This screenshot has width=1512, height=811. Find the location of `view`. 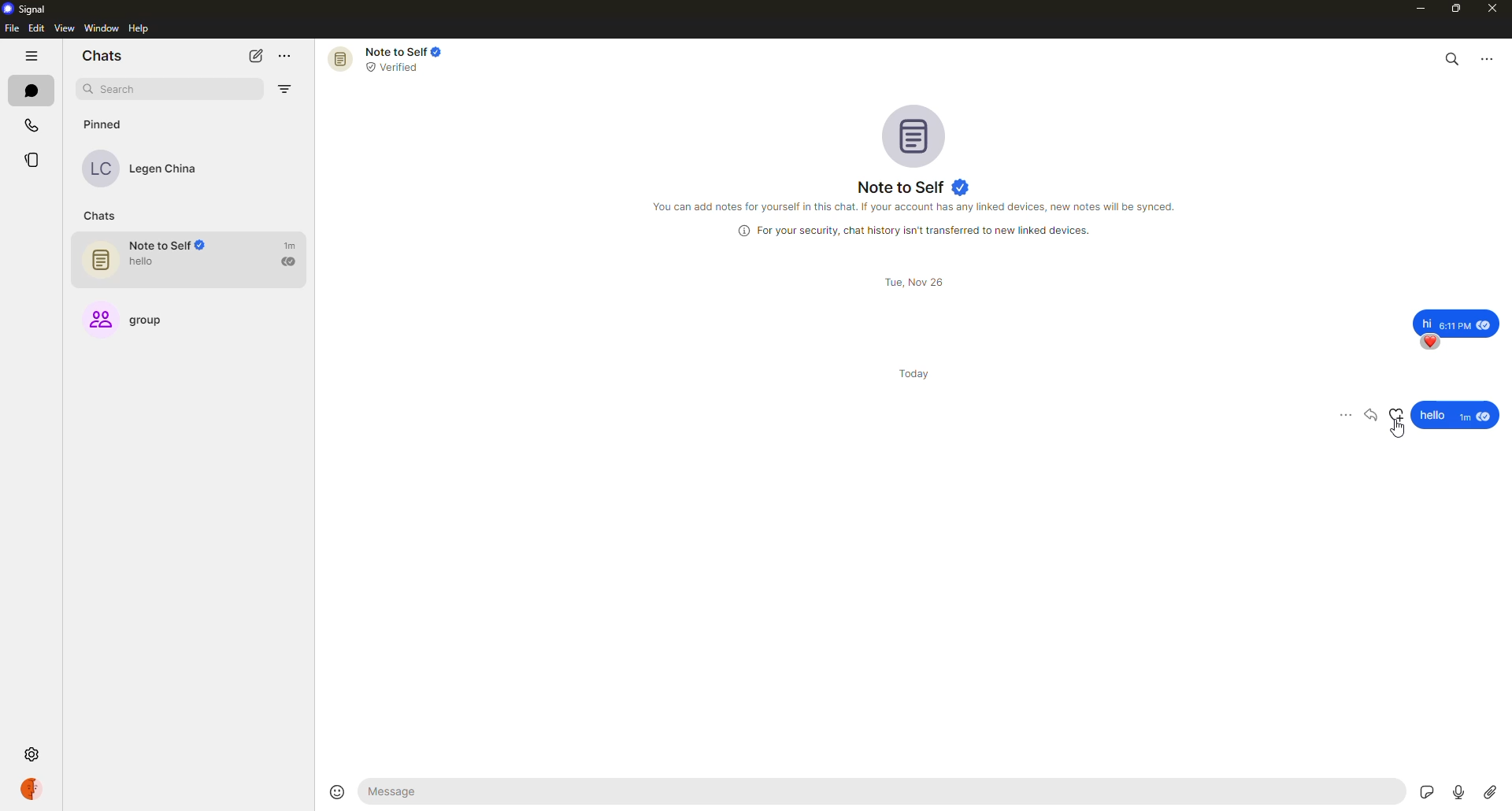

view is located at coordinates (64, 28).